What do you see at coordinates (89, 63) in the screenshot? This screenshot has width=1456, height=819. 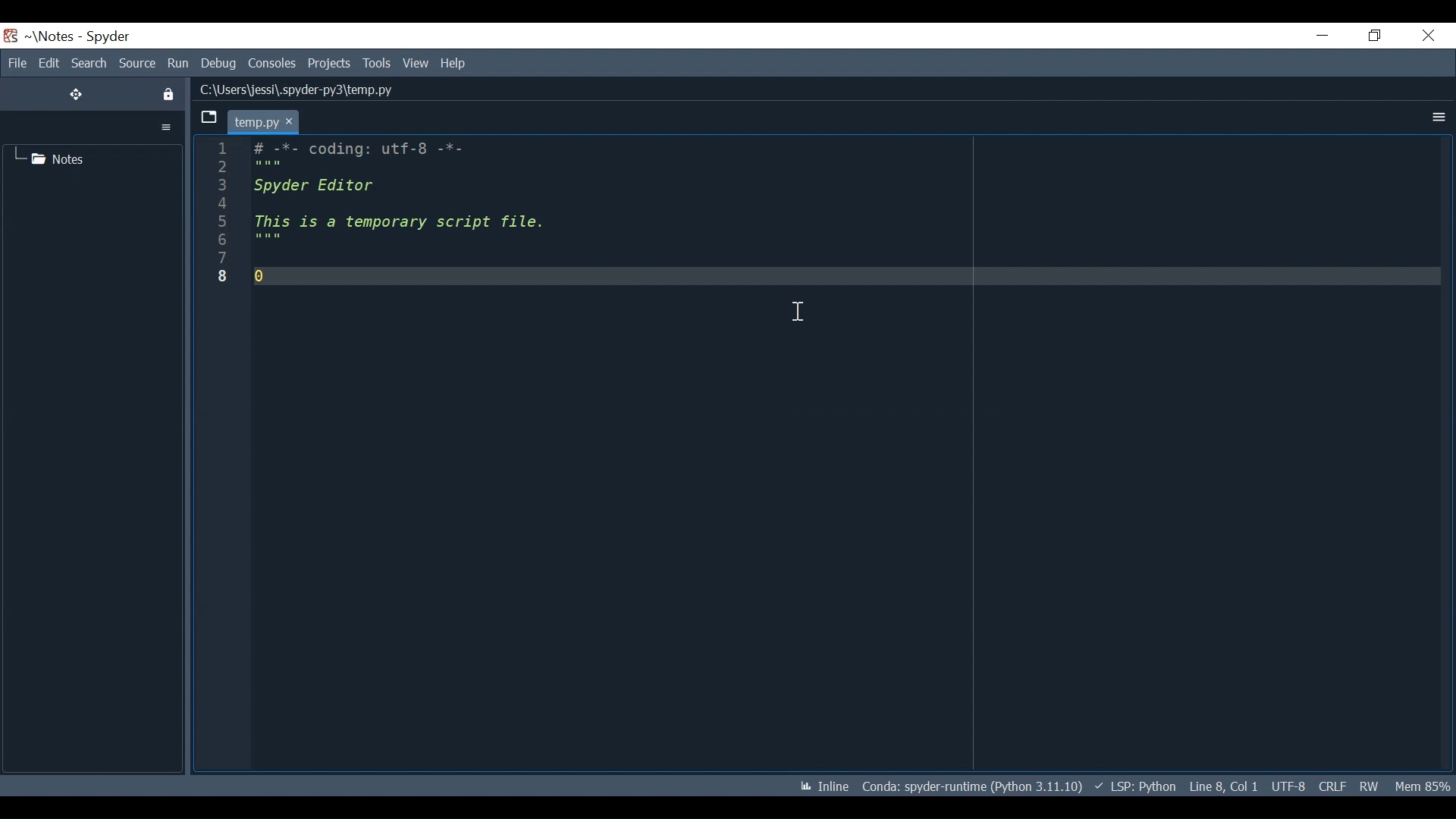 I see `Search` at bounding box center [89, 63].